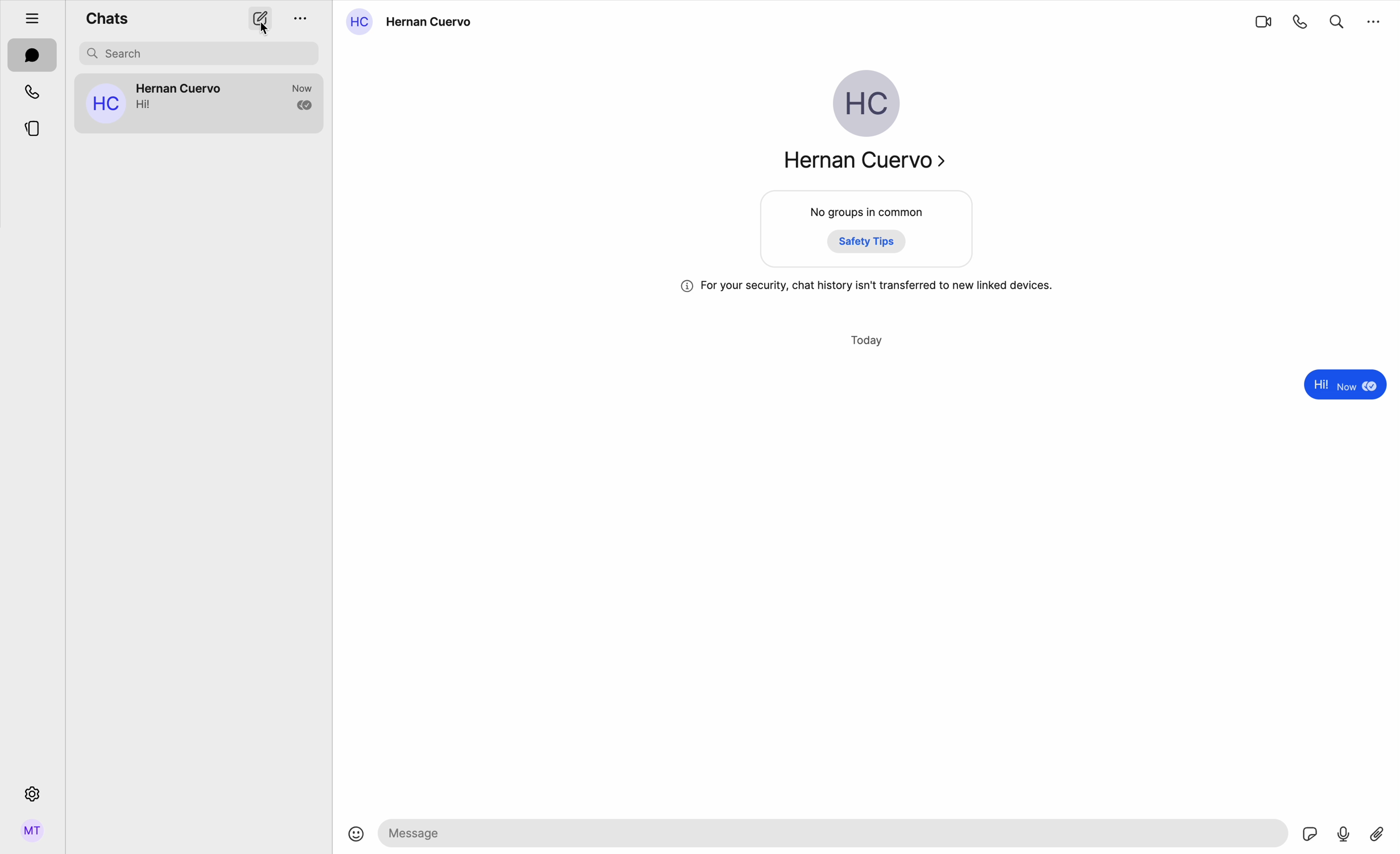 This screenshot has width=1400, height=854. What do you see at coordinates (1337, 19) in the screenshot?
I see `search` at bounding box center [1337, 19].